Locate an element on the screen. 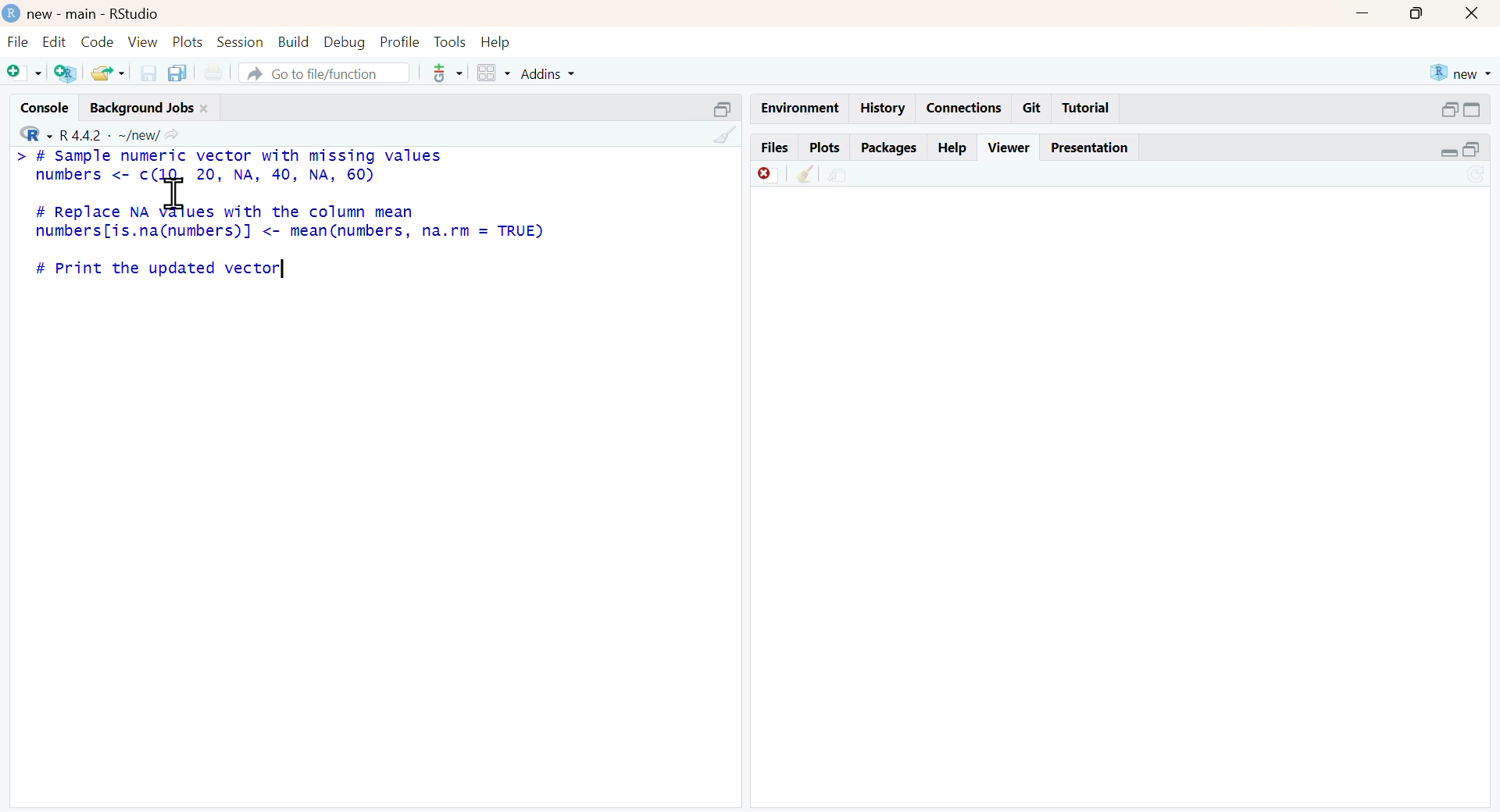 This screenshot has width=1500, height=812. add R file is located at coordinates (66, 74).